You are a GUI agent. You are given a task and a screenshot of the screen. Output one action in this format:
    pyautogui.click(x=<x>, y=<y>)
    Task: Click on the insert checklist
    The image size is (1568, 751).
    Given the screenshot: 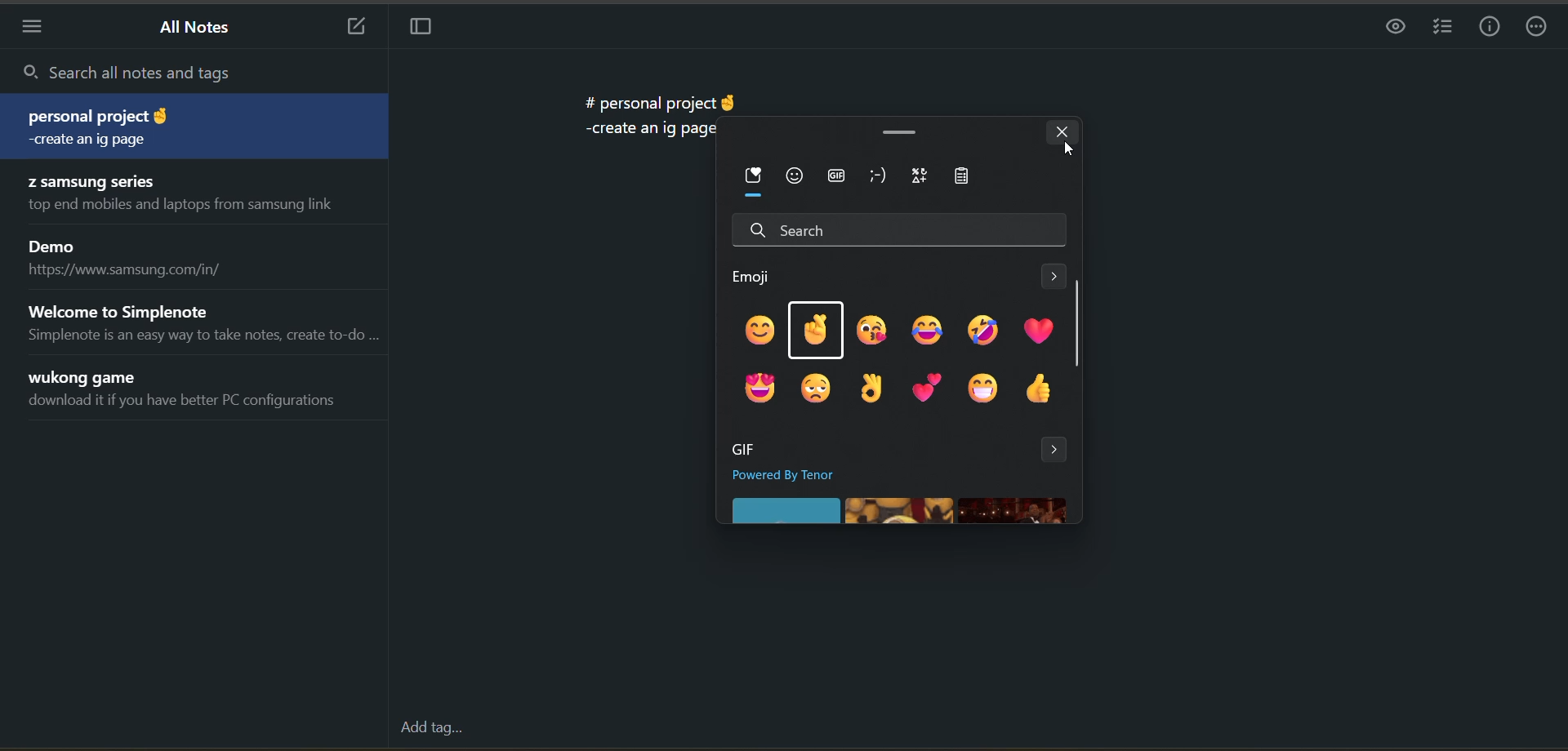 What is the action you would take?
    pyautogui.click(x=1444, y=29)
    